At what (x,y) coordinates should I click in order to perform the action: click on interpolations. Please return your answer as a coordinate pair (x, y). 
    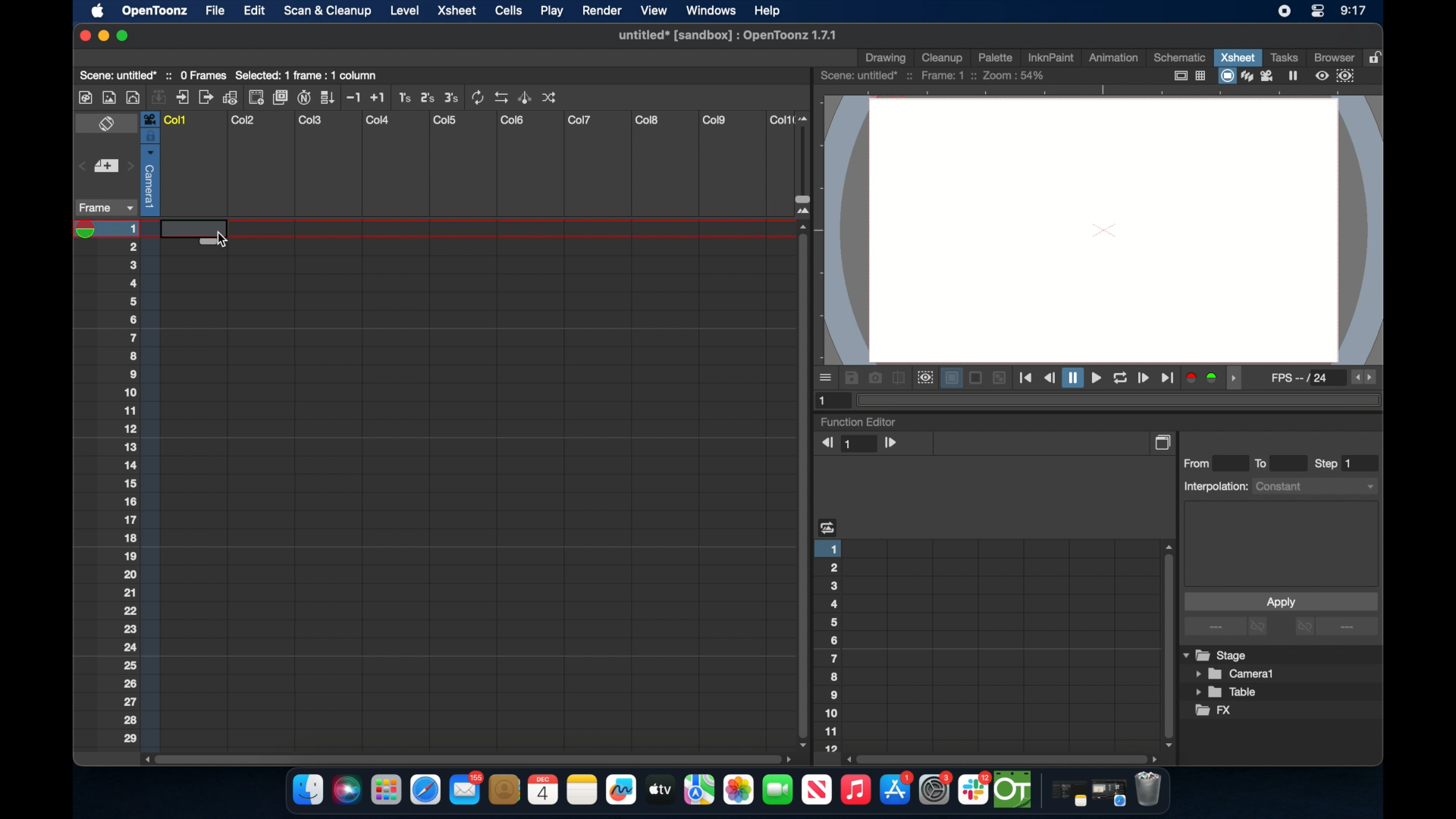
    Looking at the image, I should click on (1279, 485).